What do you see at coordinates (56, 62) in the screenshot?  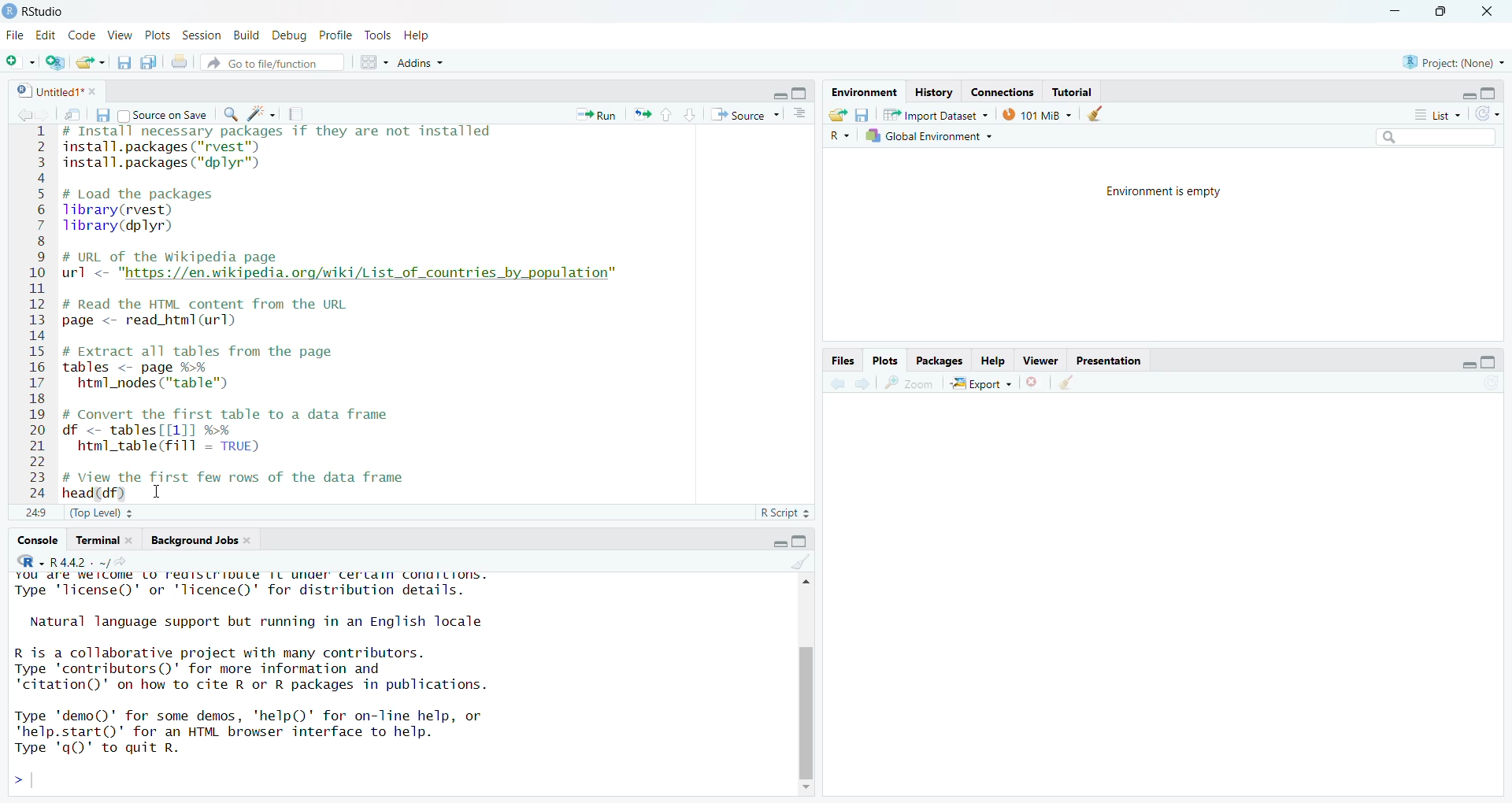 I see `New project` at bounding box center [56, 62].